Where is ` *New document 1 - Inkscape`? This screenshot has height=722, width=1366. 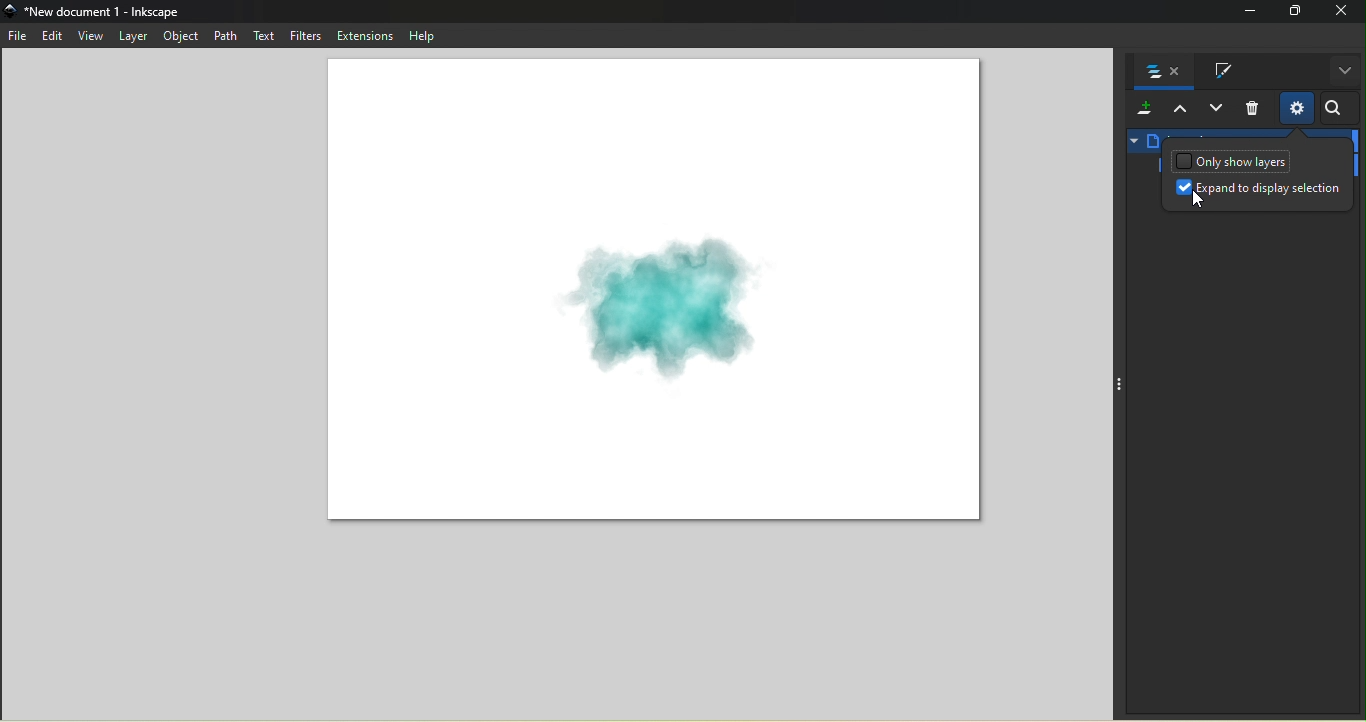
 *New document 1 - Inkscape is located at coordinates (105, 11).